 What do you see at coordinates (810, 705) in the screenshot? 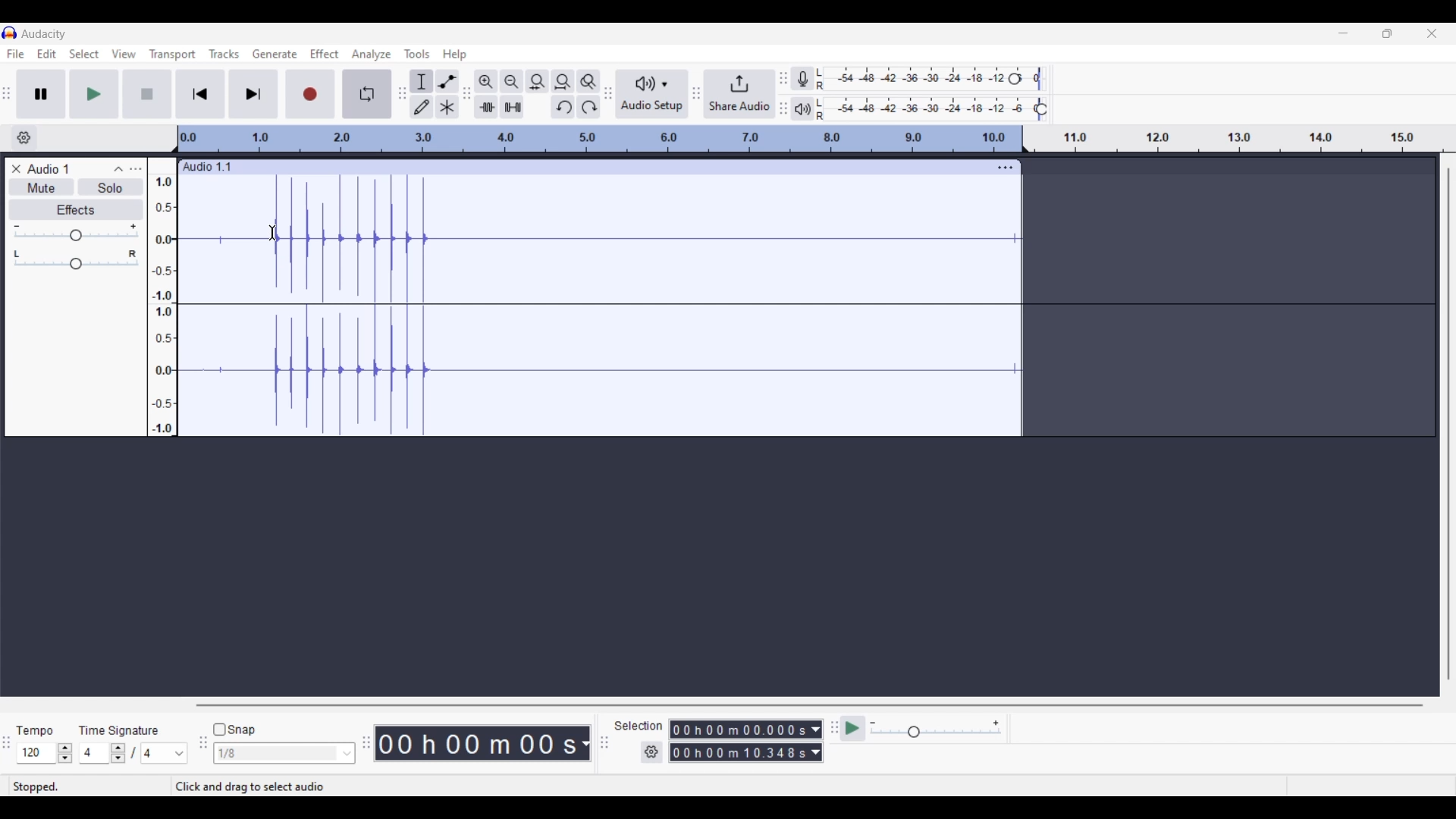
I see `Horizontal slide bar` at bounding box center [810, 705].